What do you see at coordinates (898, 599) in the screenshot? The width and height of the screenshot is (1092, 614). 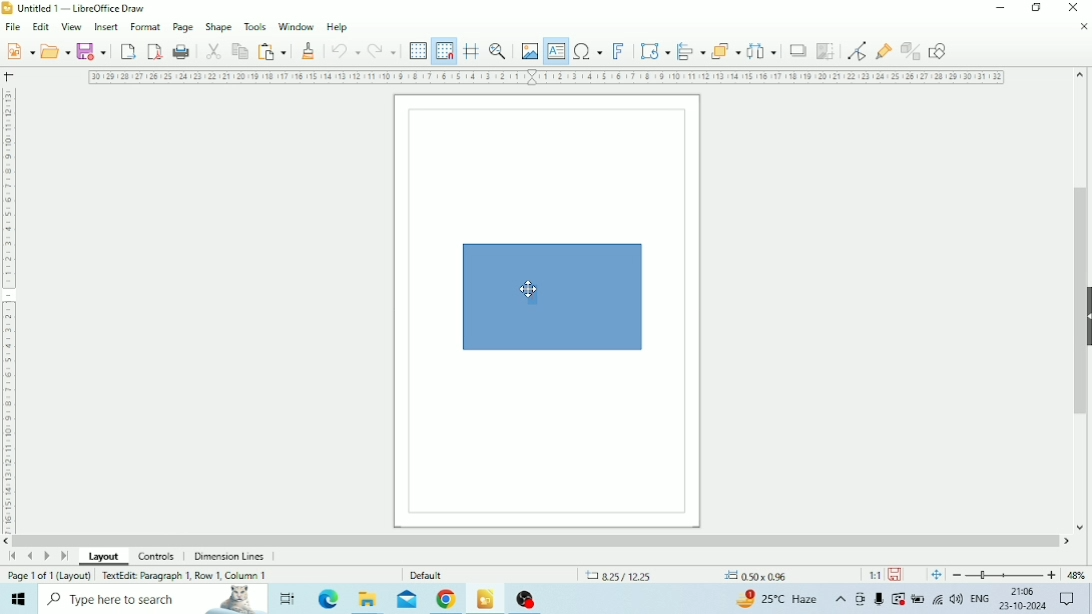 I see `Warning` at bounding box center [898, 599].